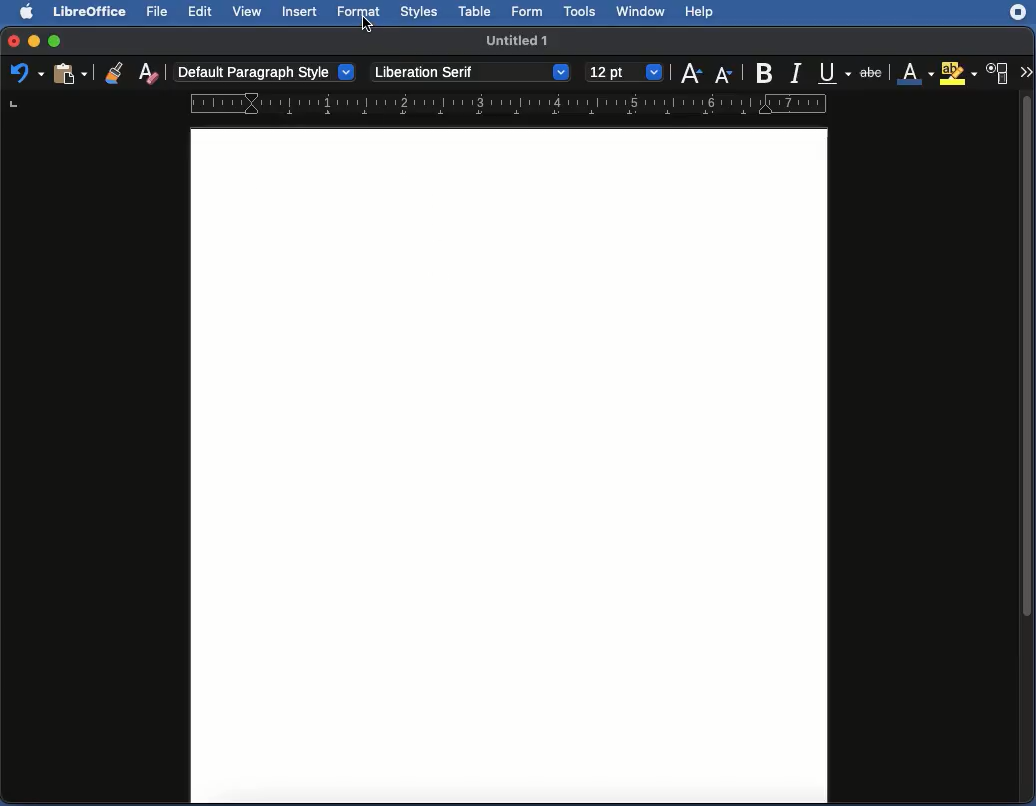 The height and width of the screenshot is (806, 1036). Describe the element at coordinates (113, 72) in the screenshot. I see `Clone formatting` at that location.